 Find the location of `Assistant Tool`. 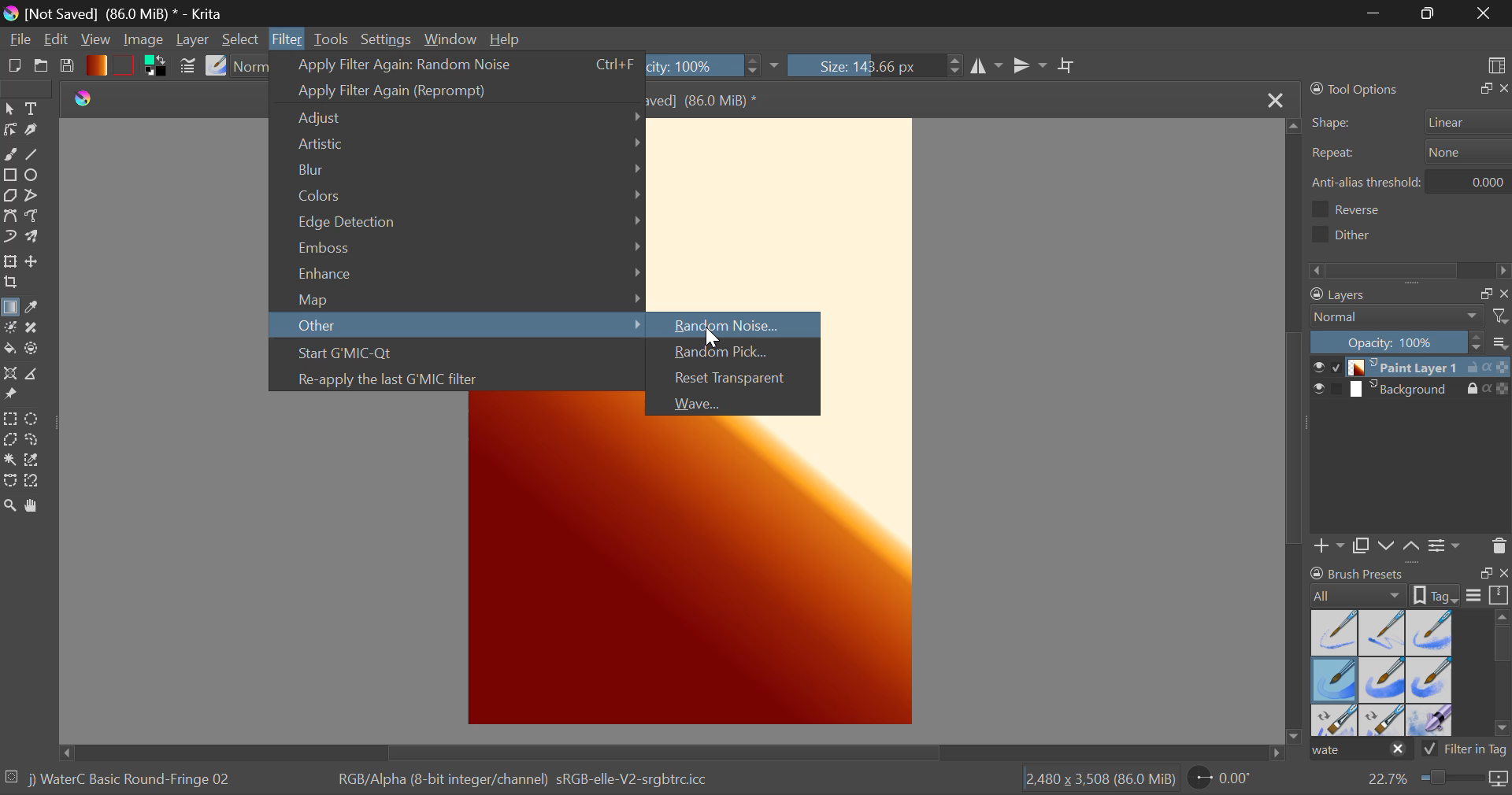

Assistant Tool is located at coordinates (11, 375).